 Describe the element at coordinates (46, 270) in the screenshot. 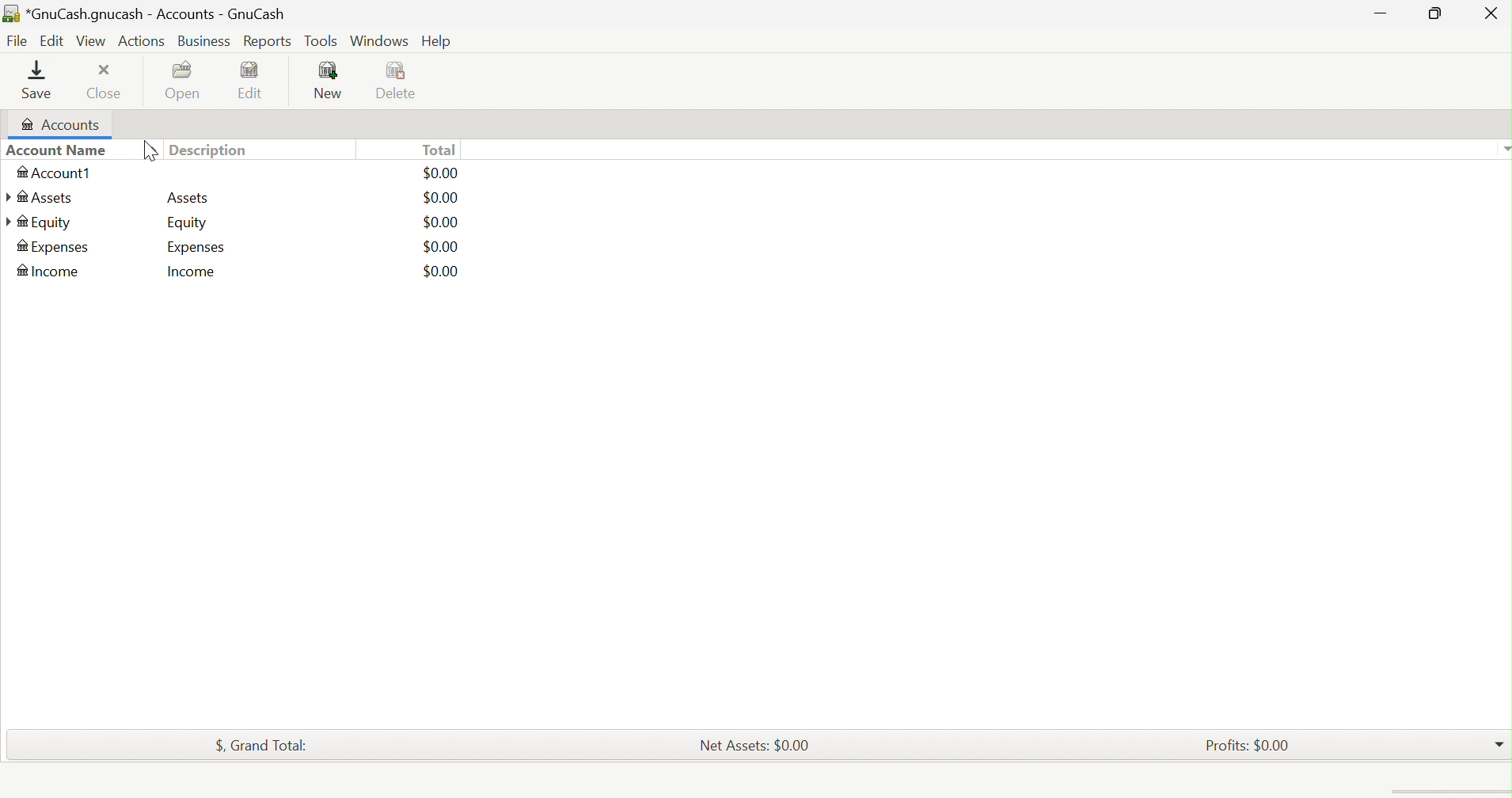

I see `income` at that location.